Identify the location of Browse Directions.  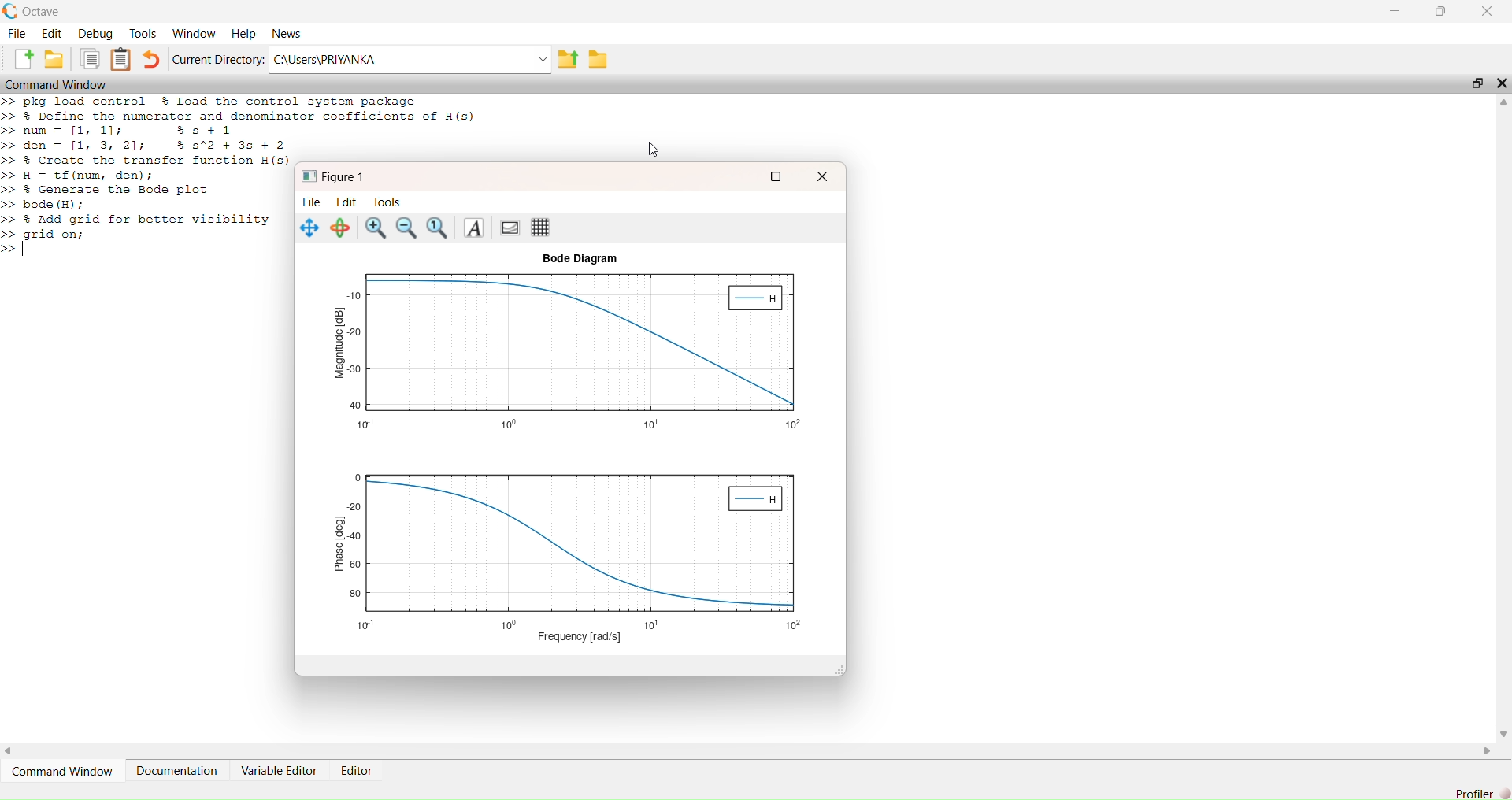
(598, 58).